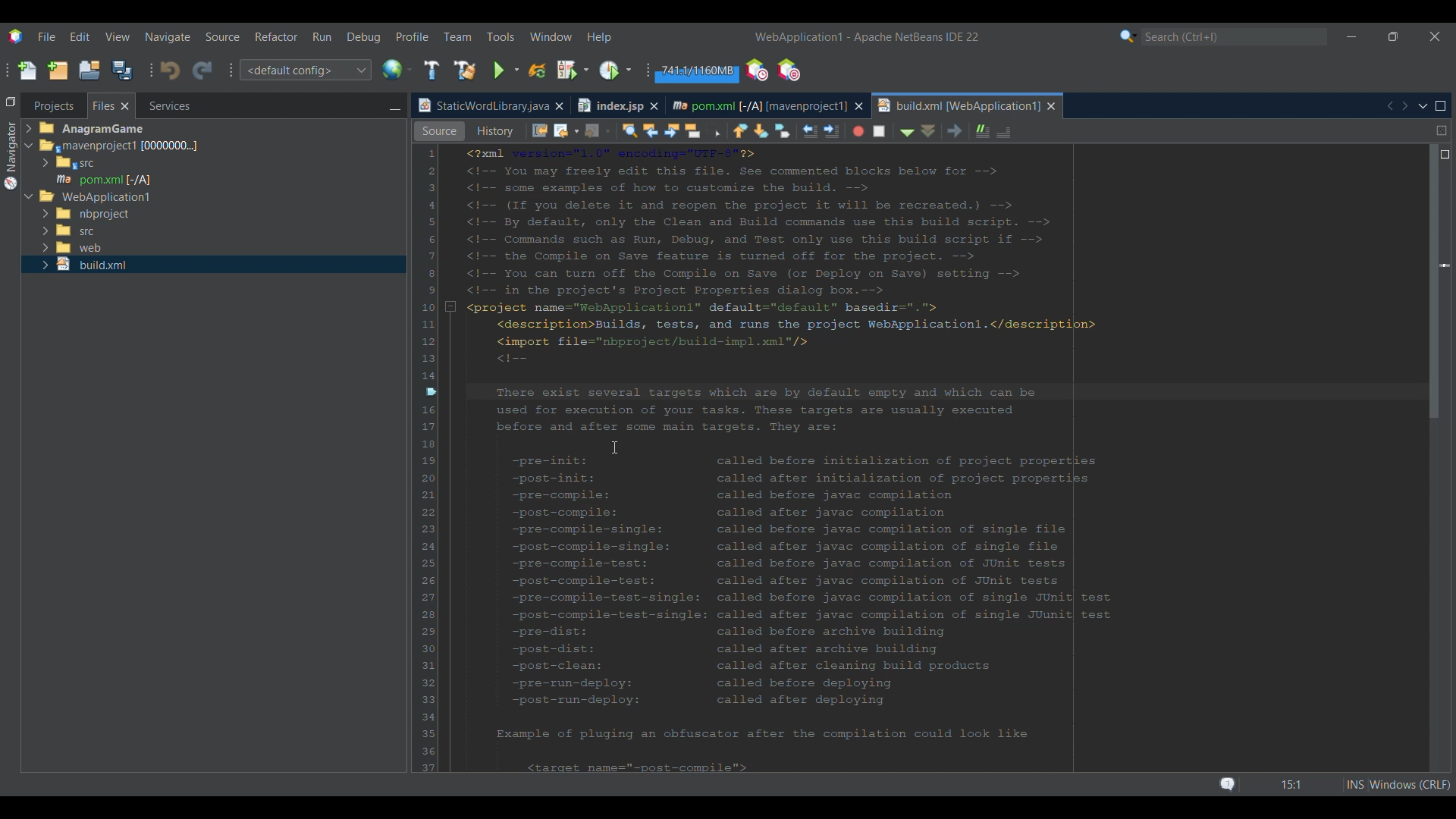 The width and height of the screenshot is (1456, 819). What do you see at coordinates (9, 155) in the screenshot?
I see `Navigator menu` at bounding box center [9, 155].